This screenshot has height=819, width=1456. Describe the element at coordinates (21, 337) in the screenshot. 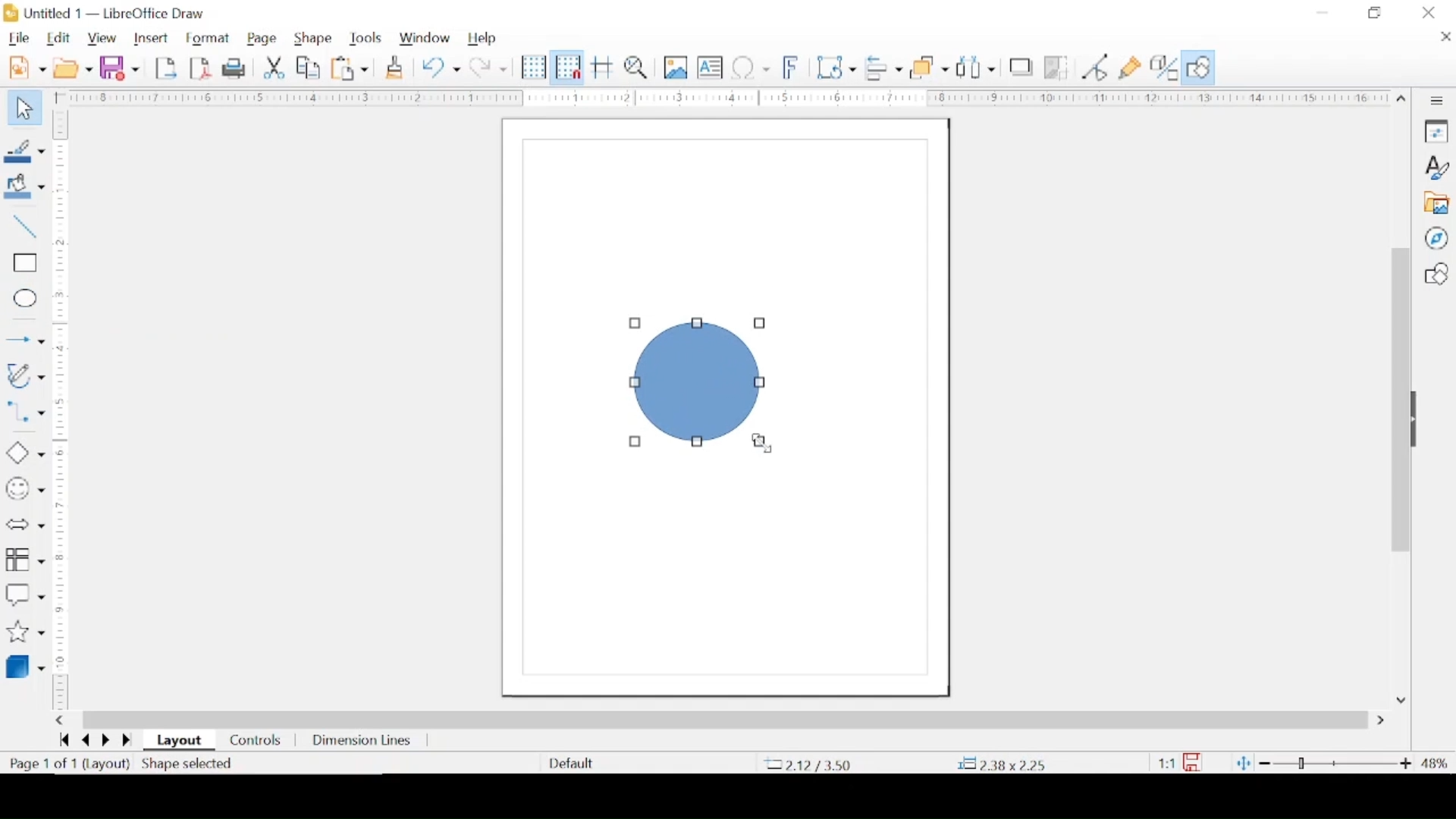

I see `` at that location.